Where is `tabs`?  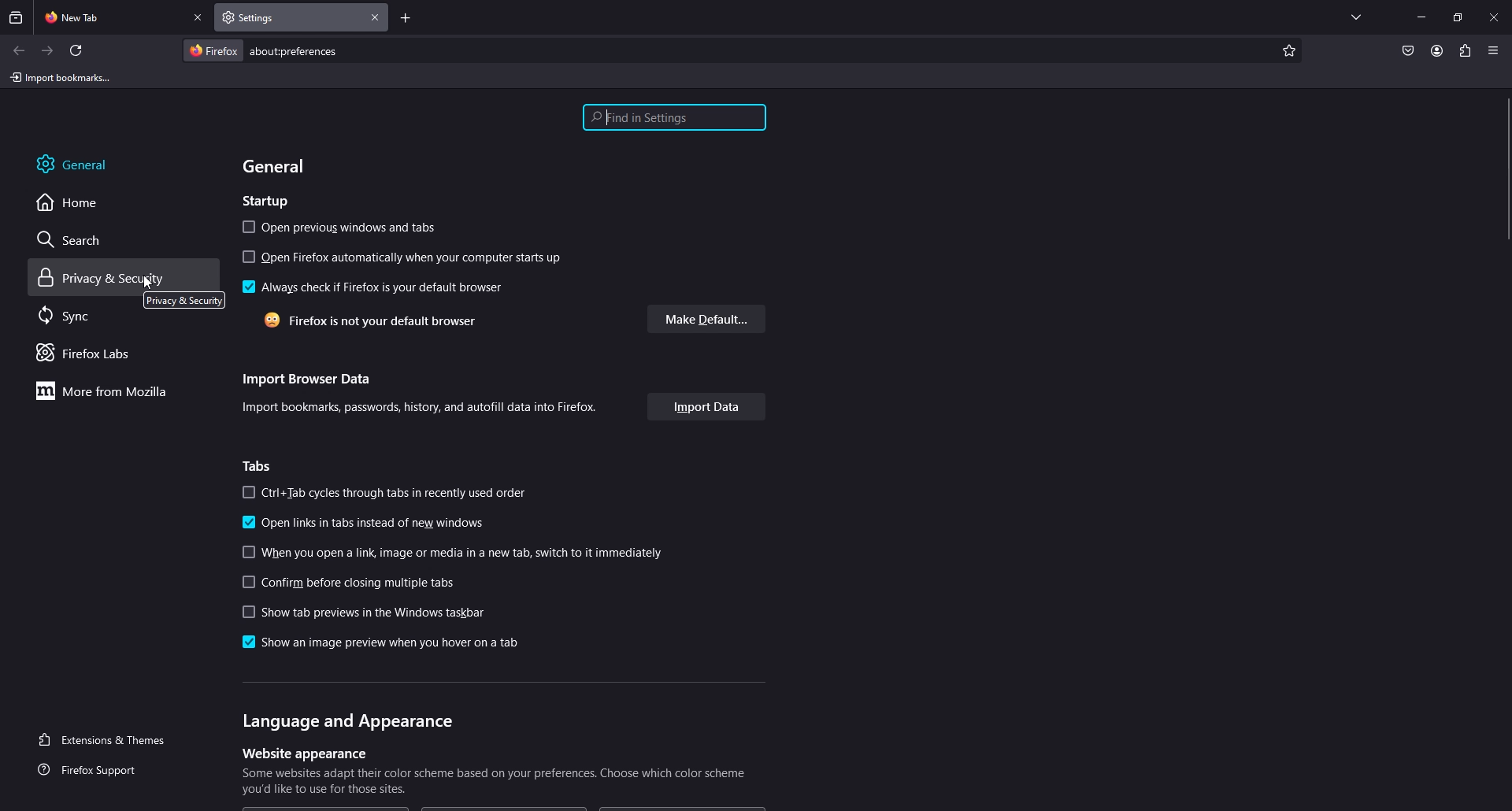 tabs is located at coordinates (261, 466).